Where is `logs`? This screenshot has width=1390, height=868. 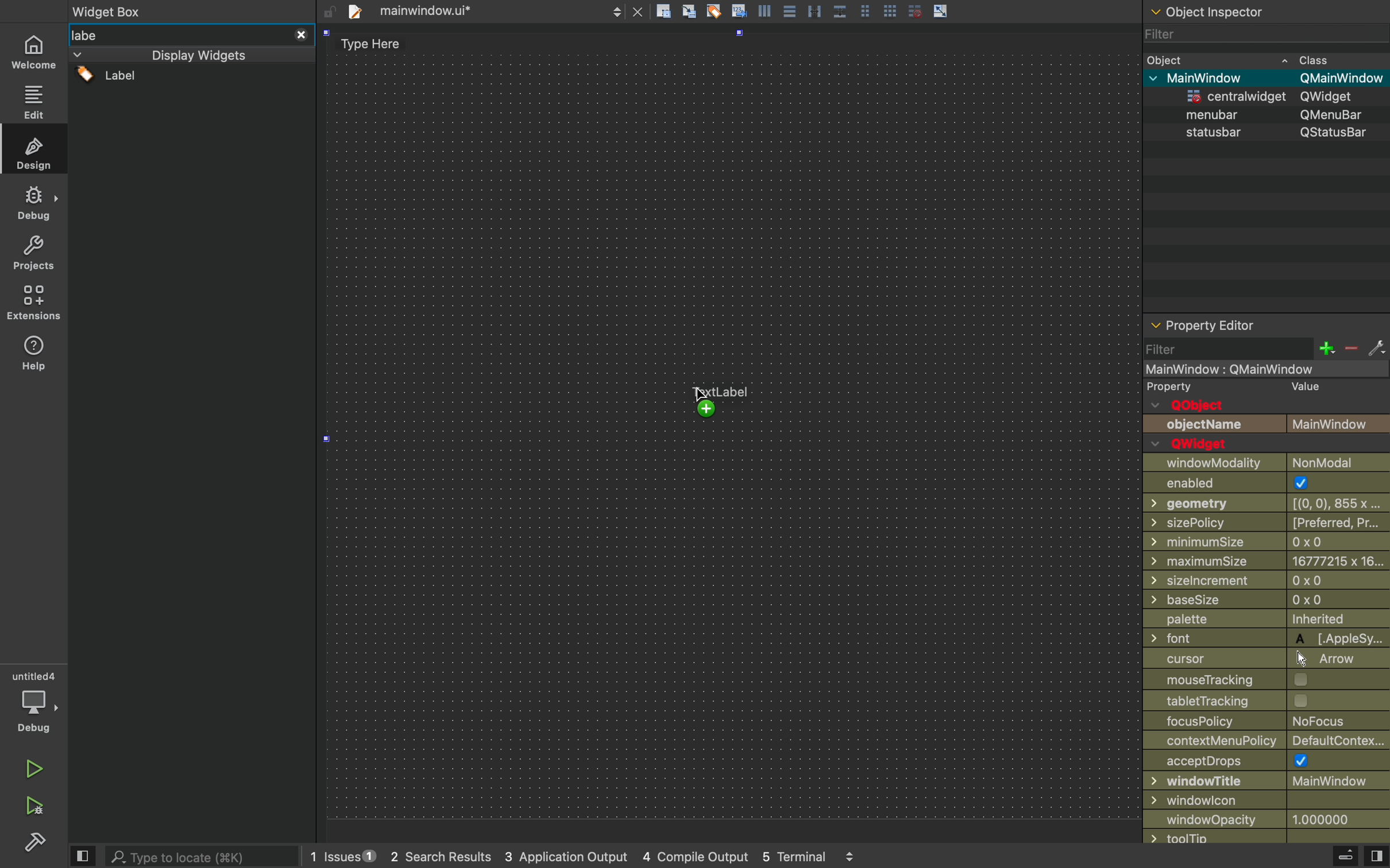 logs is located at coordinates (609, 858).